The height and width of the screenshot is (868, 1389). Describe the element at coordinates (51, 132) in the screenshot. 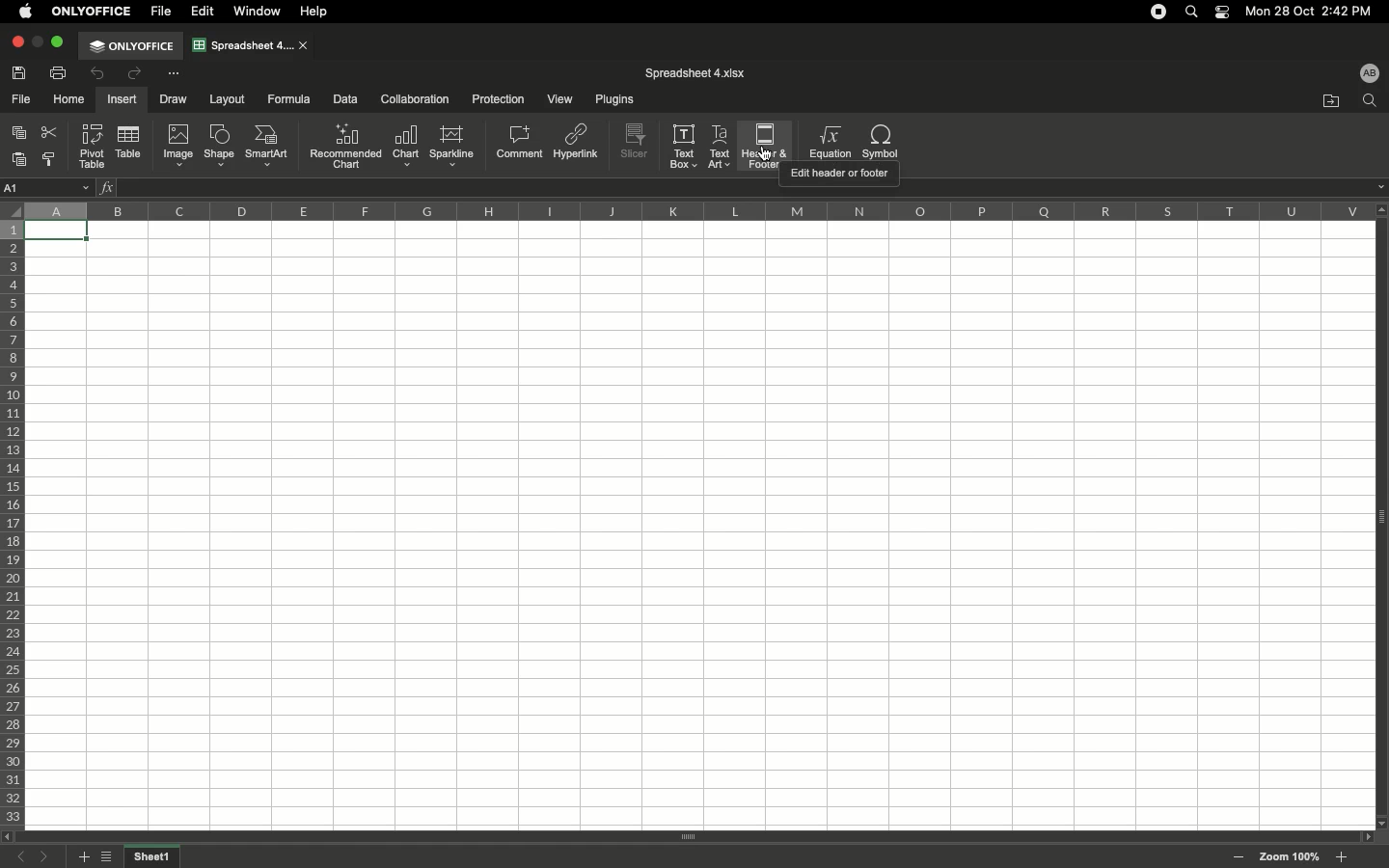

I see `Cut` at that location.